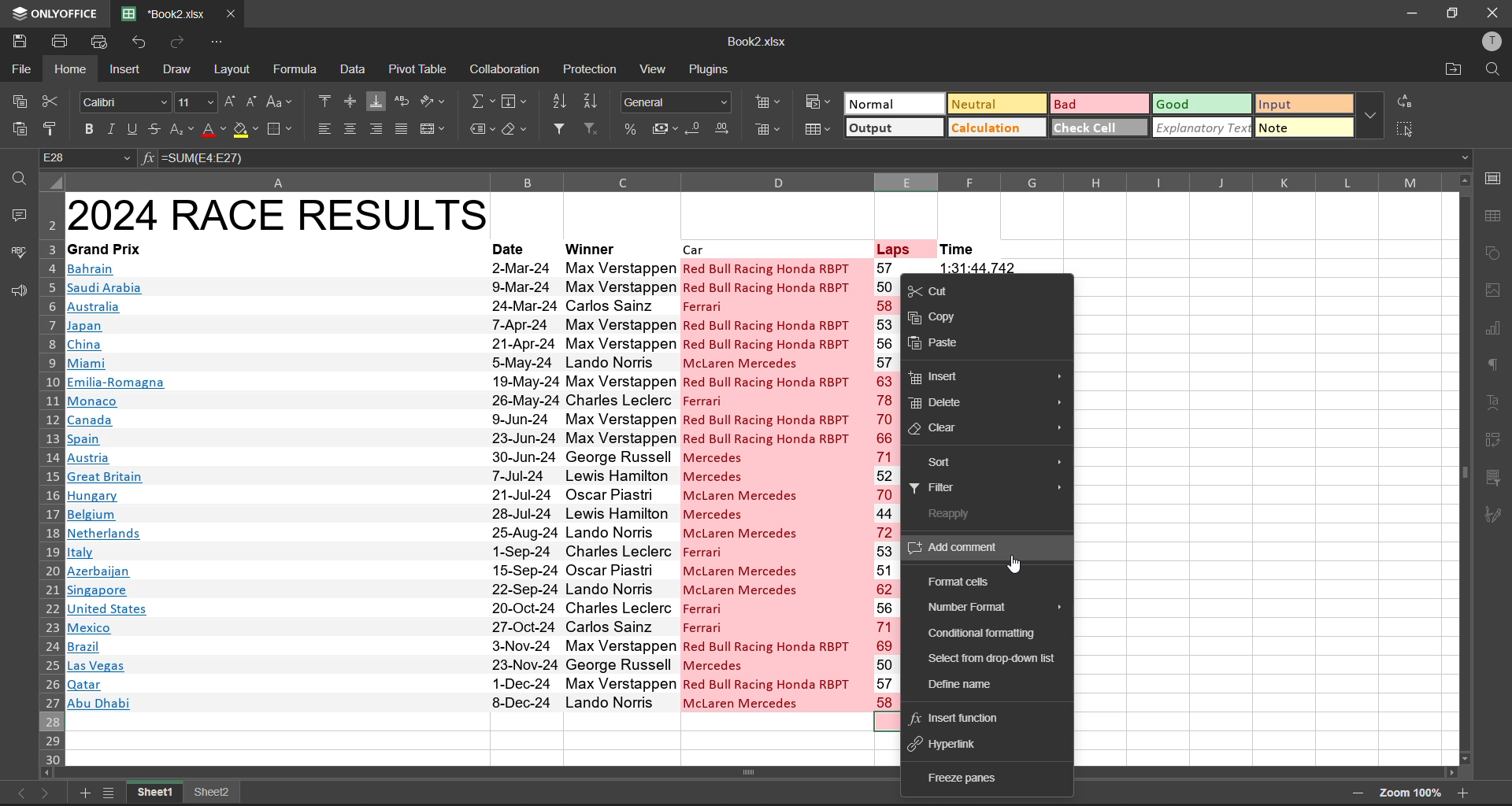 This screenshot has height=806, width=1512. What do you see at coordinates (1409, 792) in the screenshot?
I see `zoom factor` at bounding box center [1409, 792].